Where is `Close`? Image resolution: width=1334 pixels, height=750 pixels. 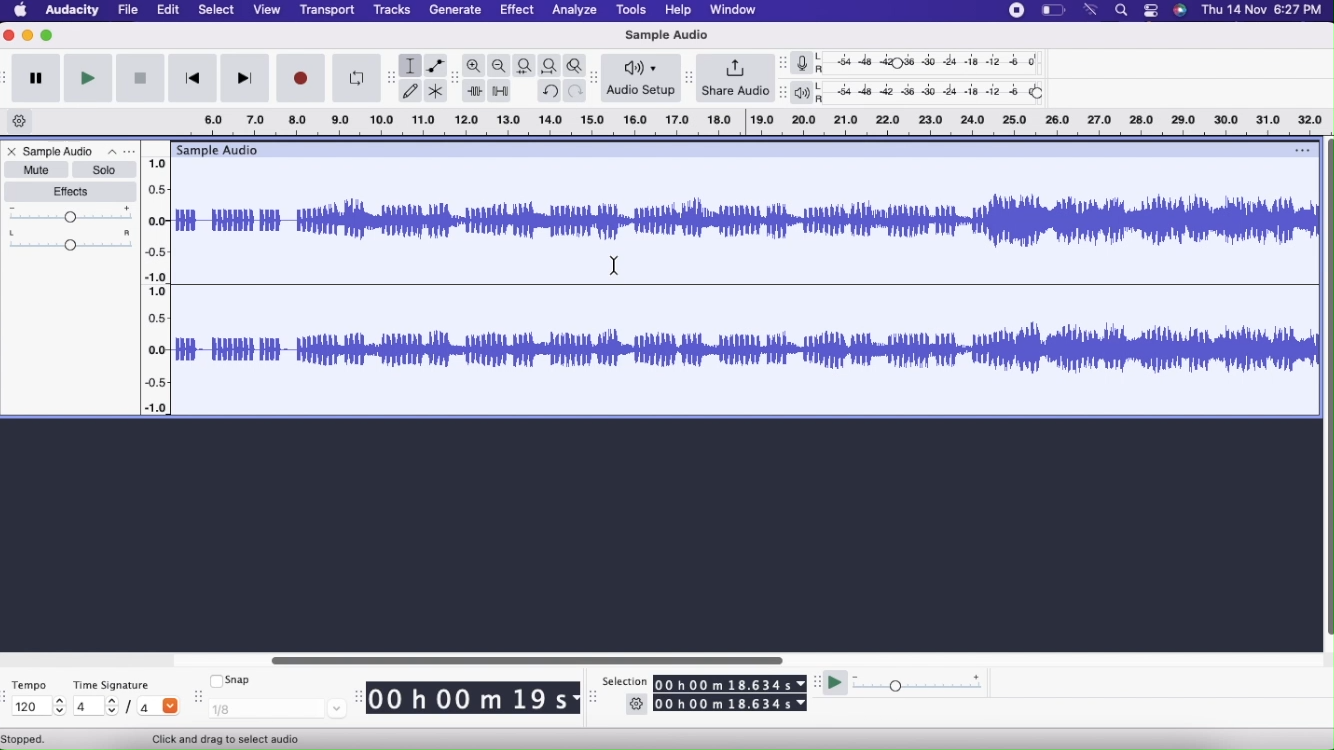 Close is located at coordinates (10, 36).